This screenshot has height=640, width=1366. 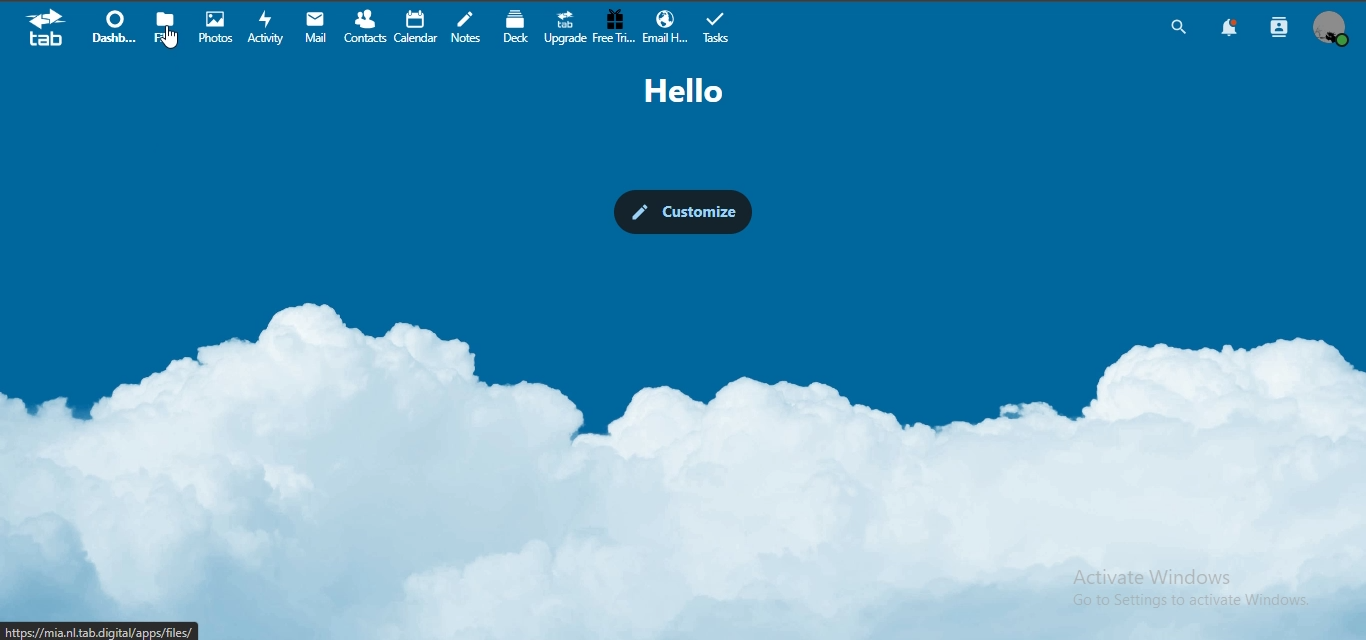 I want to click on search contacts, so click(x=1276, y=29).